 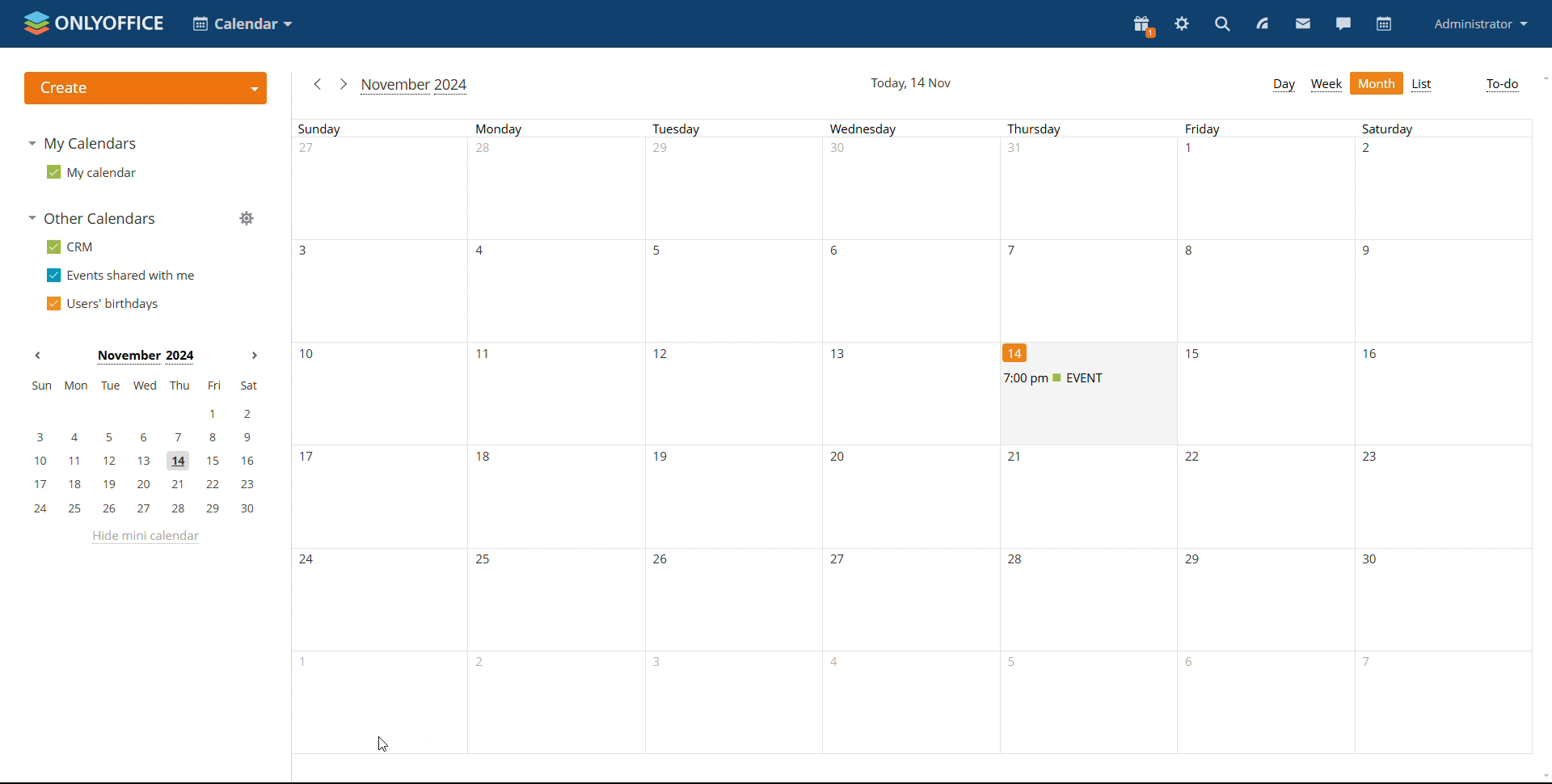 What do you see at coordinates (1093, 238) in the screenshot?
I see `days of a month` at bounding box center [1093, 238].